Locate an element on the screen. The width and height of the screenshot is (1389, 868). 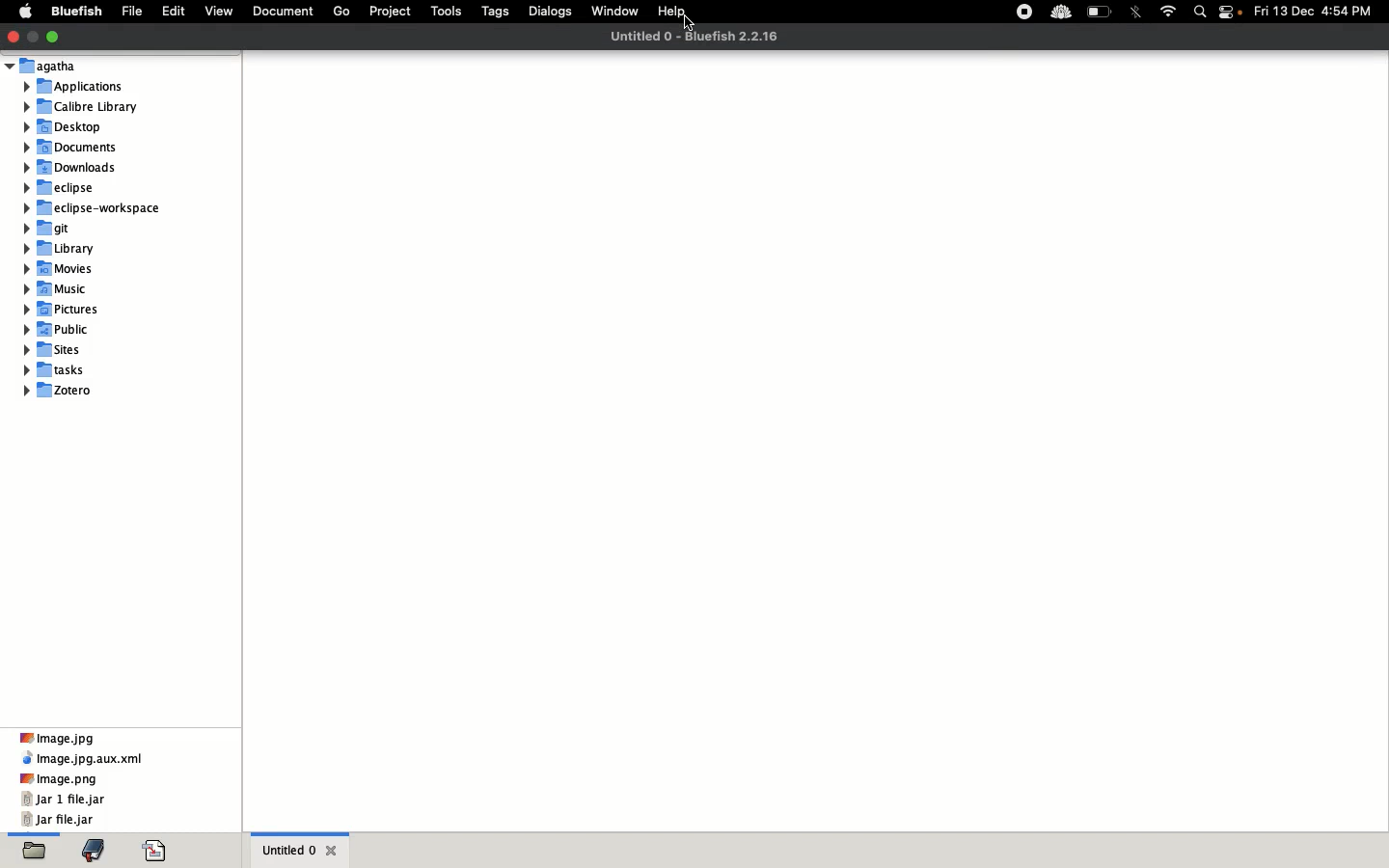
PDF viewer is located at coordinates (153, 850).